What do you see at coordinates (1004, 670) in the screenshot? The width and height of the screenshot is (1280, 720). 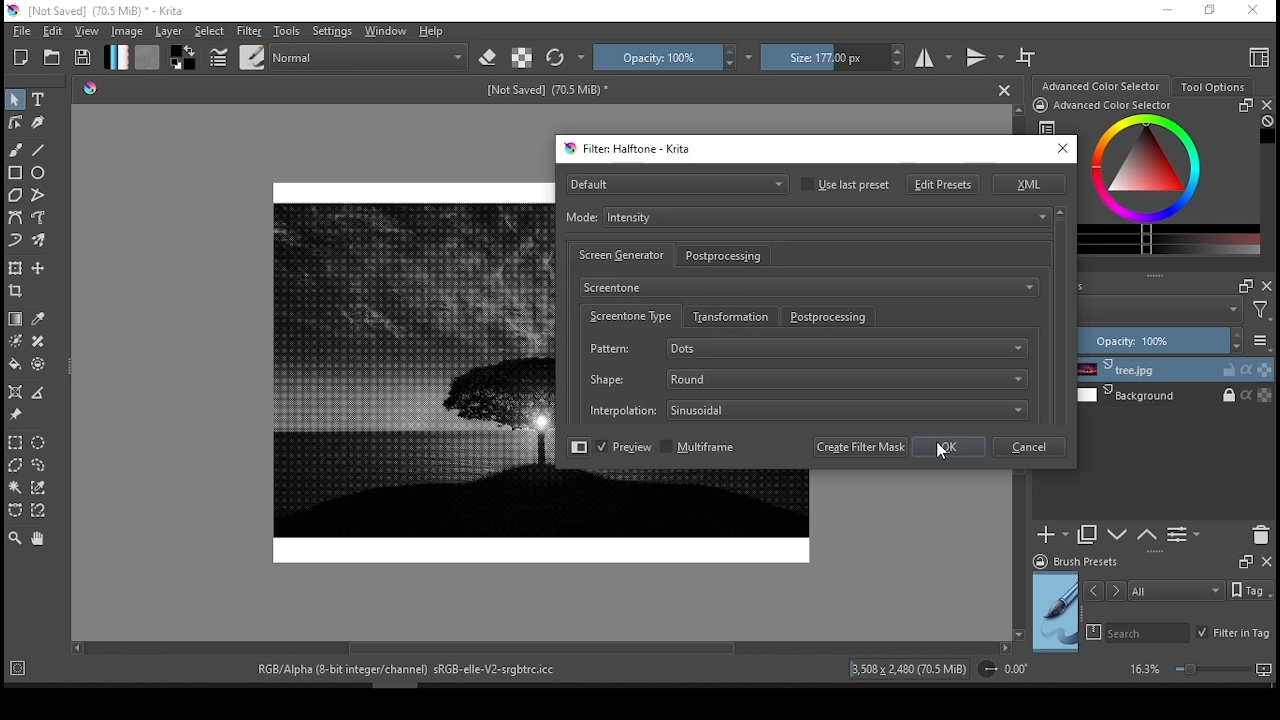 I see `rotation` at bounding box center [1004, 670].